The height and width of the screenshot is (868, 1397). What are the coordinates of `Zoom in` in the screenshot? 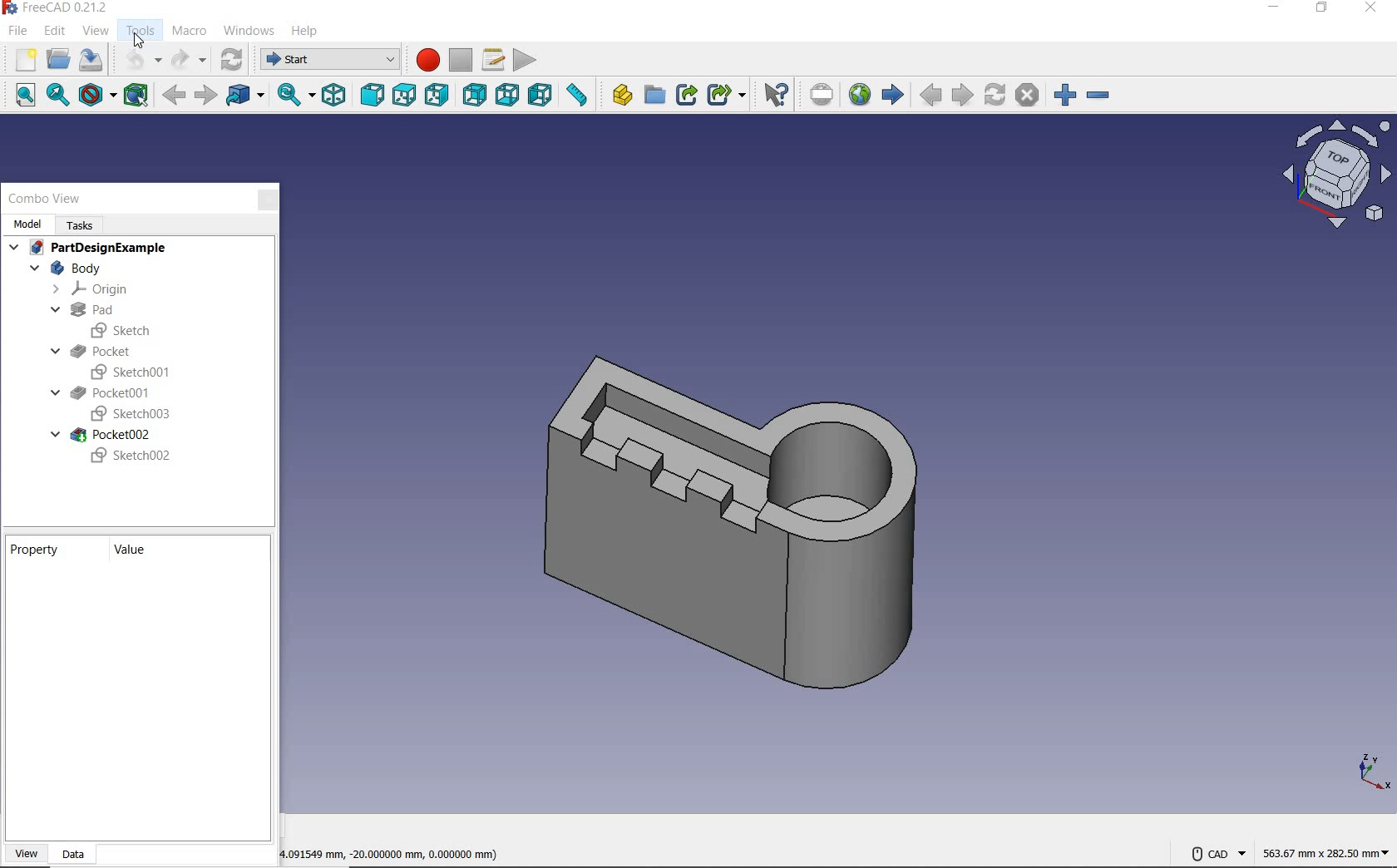 It's located at (1067, 91).